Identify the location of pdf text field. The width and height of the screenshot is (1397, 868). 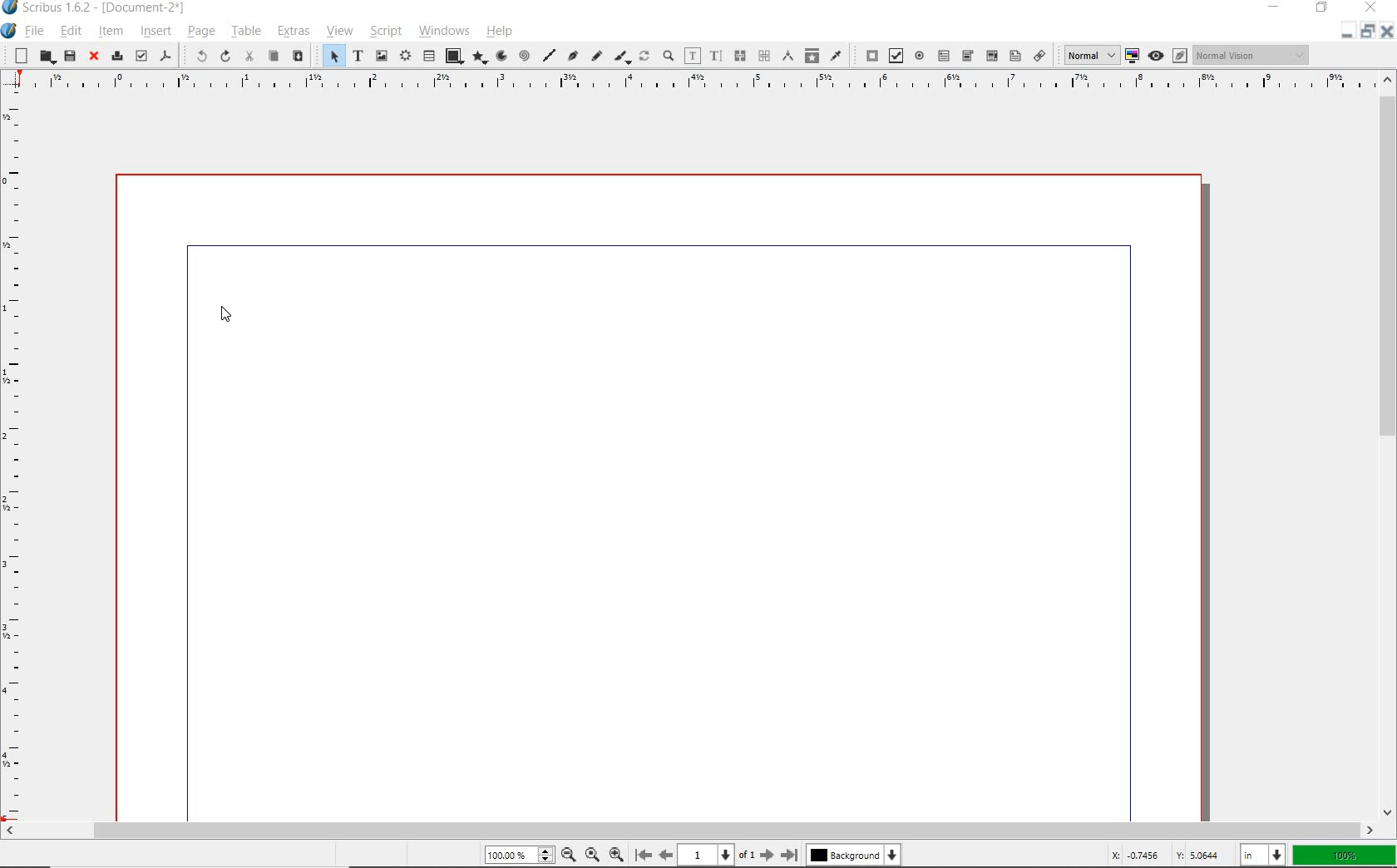
(944, 56).